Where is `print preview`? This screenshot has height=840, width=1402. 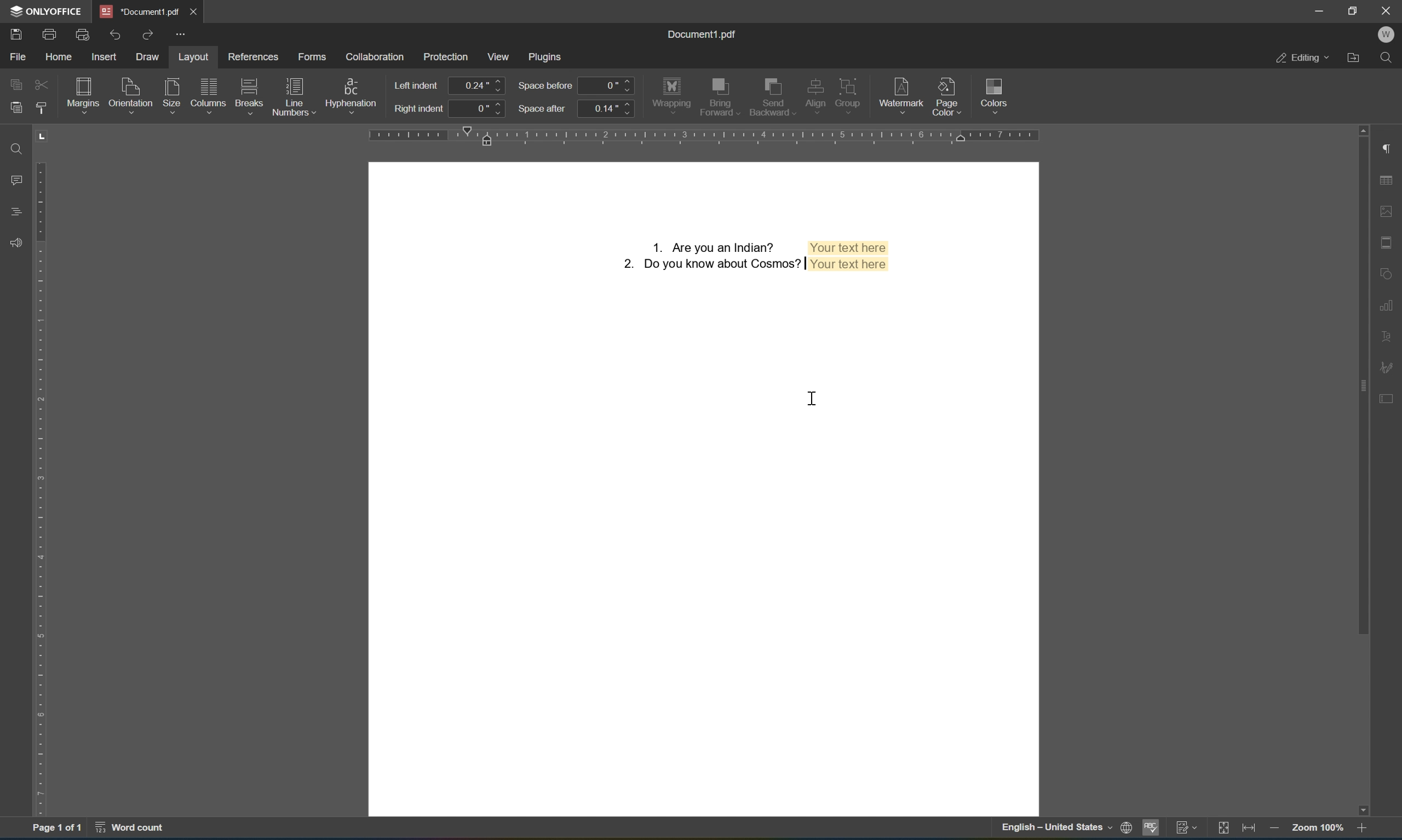 print preview is located at coordinates (85, 35).